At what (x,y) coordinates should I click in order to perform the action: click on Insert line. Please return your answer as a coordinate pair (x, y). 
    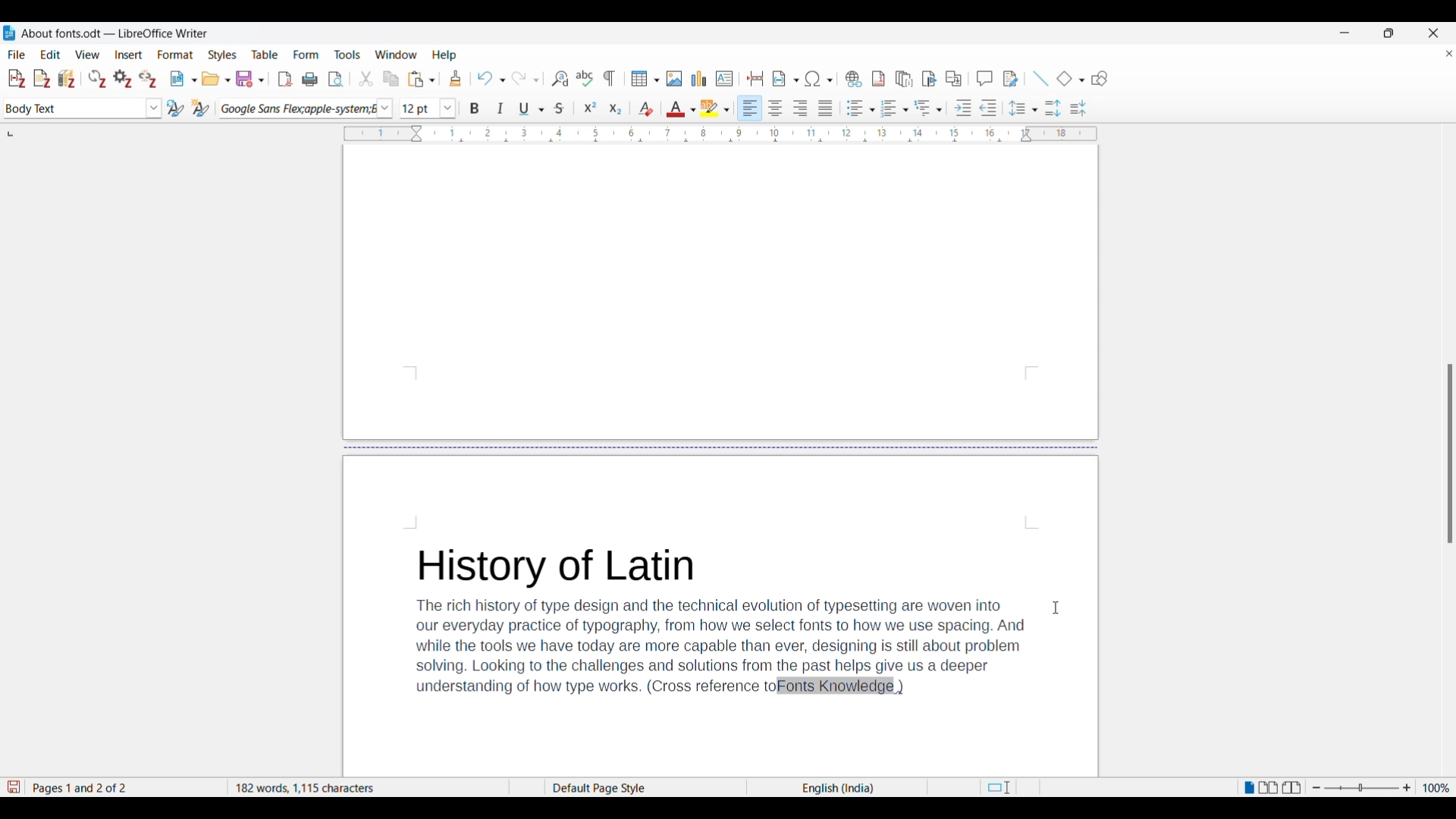
    Looking at the image, I should click on (1040, 79).